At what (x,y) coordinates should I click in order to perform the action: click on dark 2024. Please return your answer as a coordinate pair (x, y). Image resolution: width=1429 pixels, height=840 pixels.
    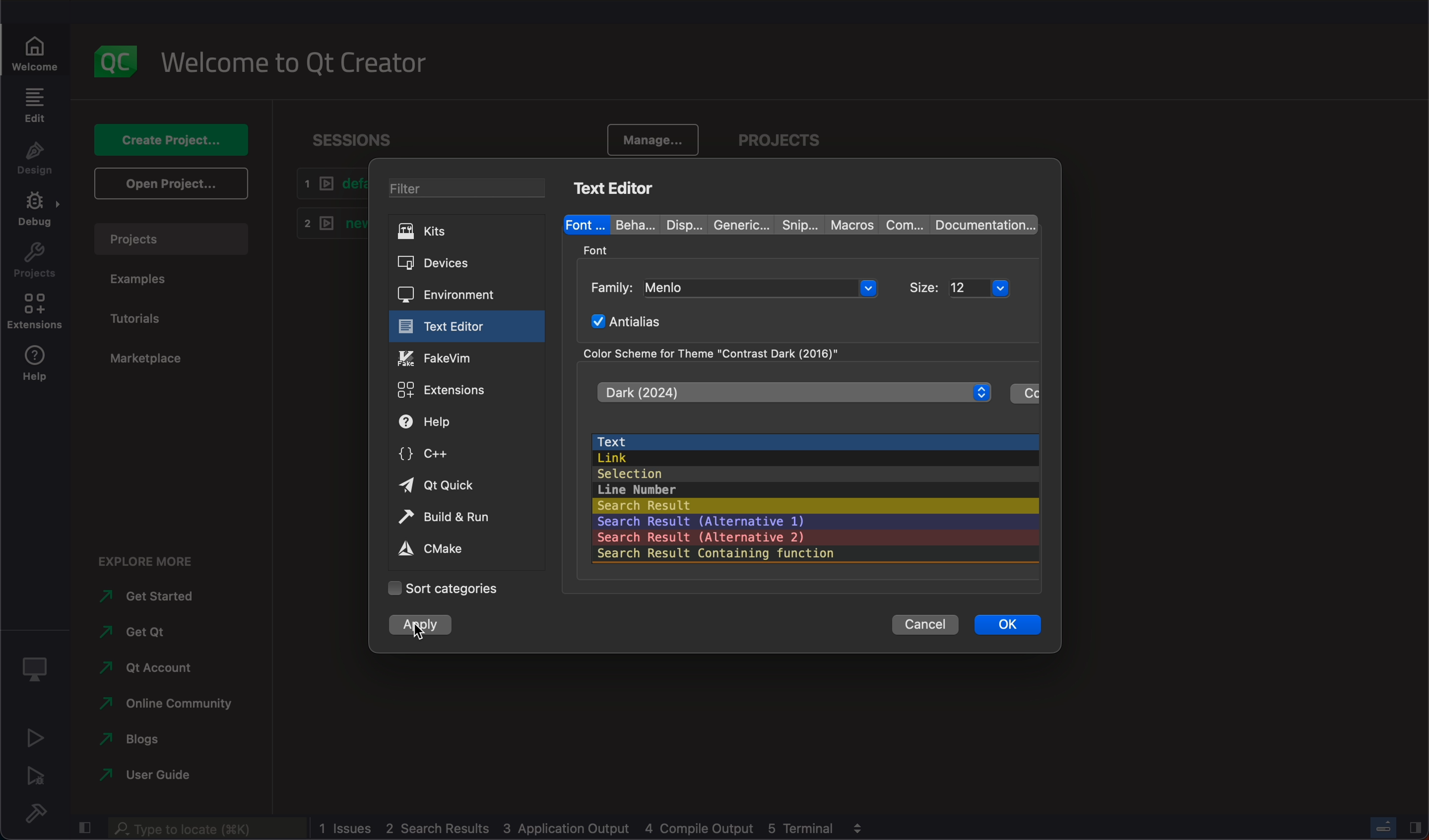
    Looking at the image, I should click on (793, 392).